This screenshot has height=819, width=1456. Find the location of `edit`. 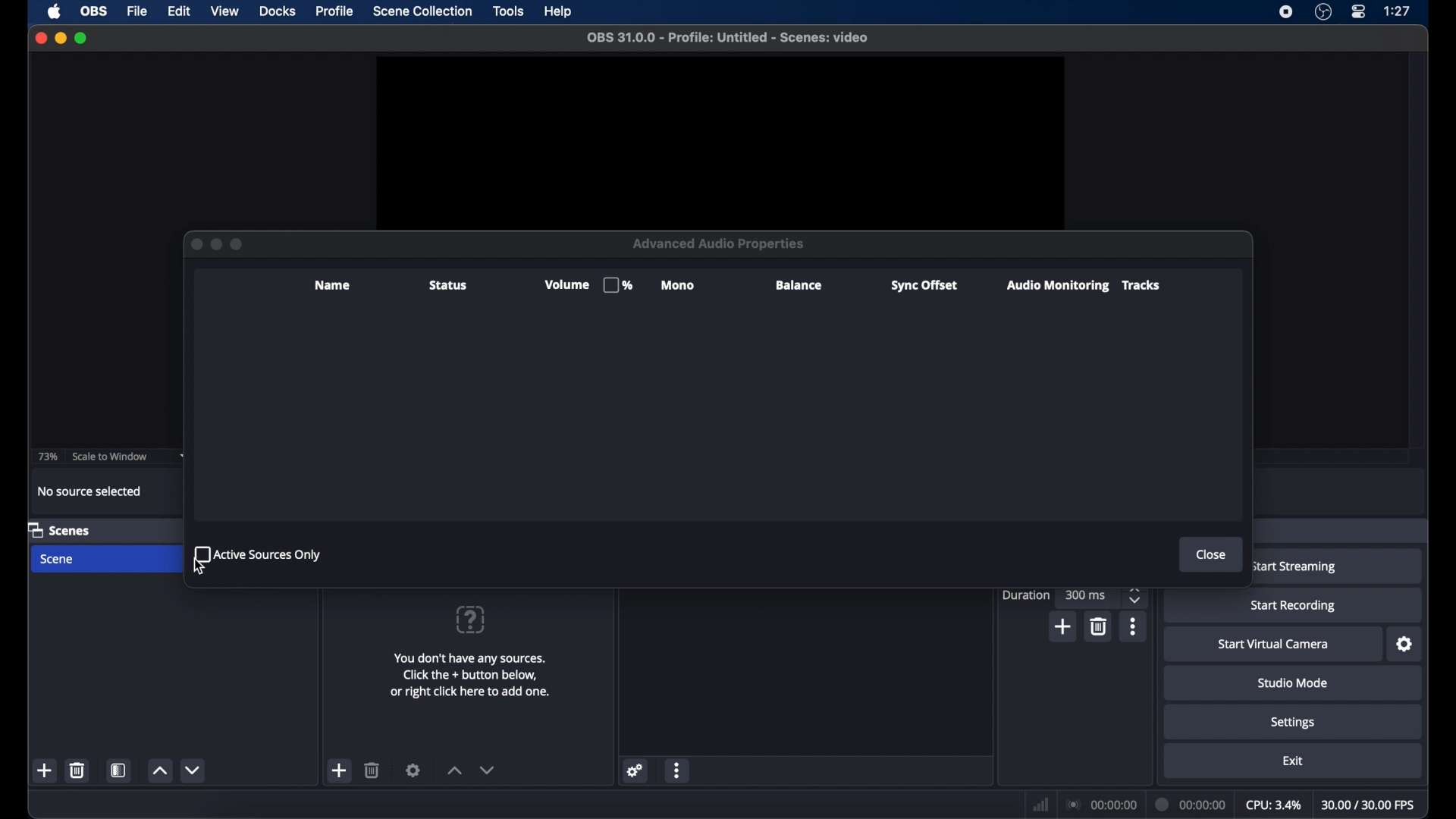

edit is located at coordinates (178, 12).